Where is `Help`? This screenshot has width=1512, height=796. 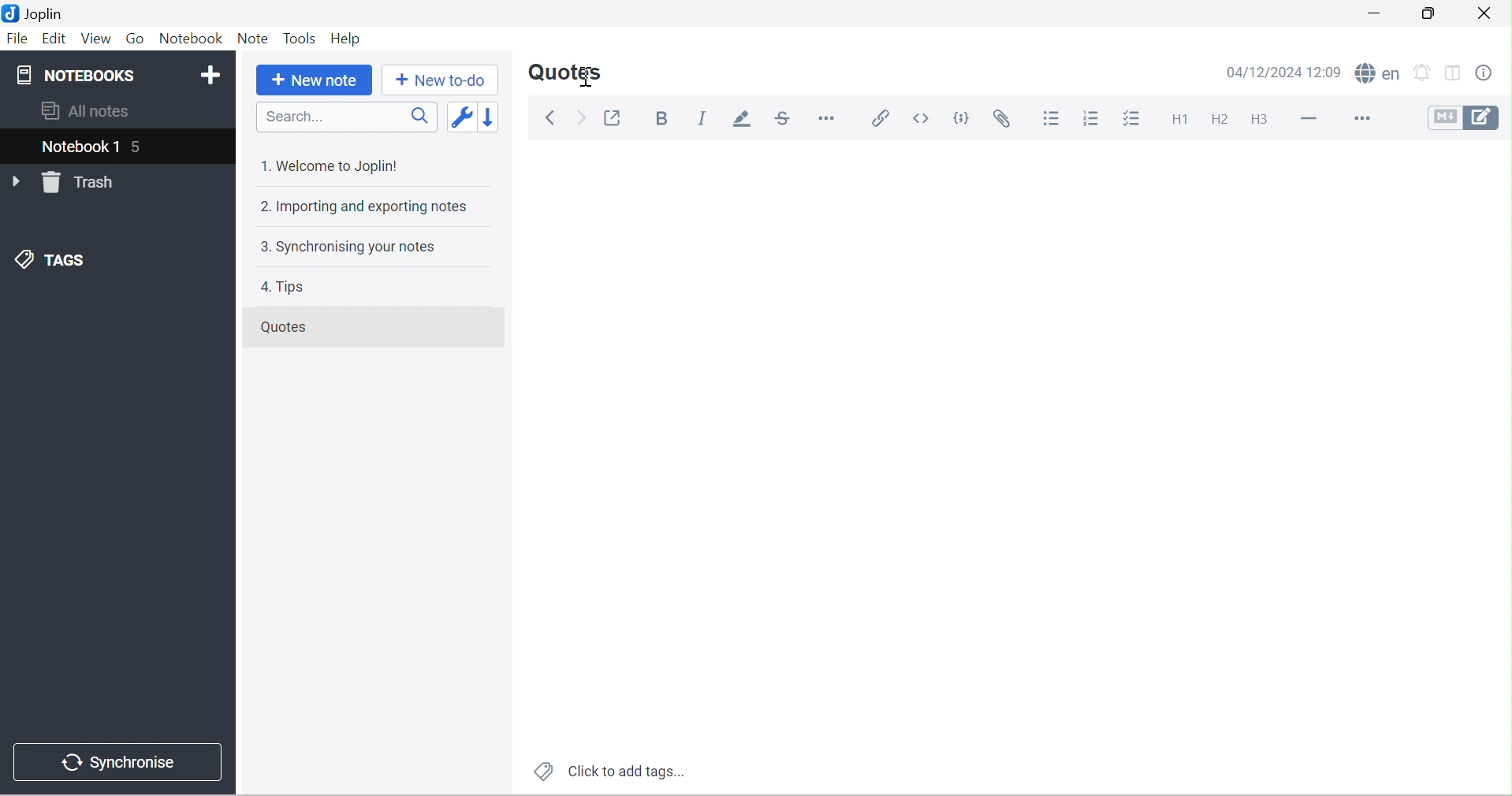 Help is located at coordinates (349, 38).